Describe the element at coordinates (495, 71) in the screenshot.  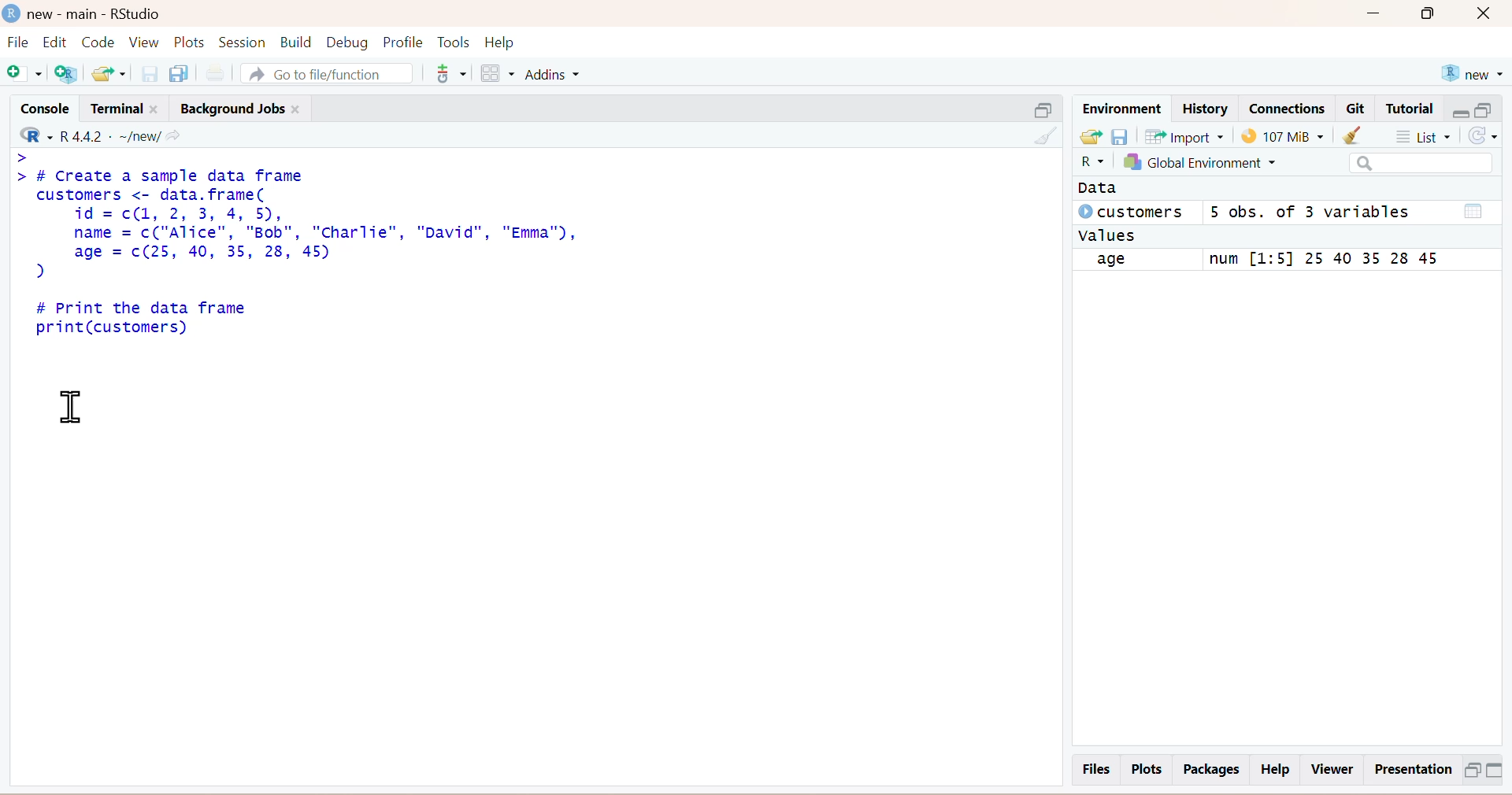
I see `workspaces pane` at that location.